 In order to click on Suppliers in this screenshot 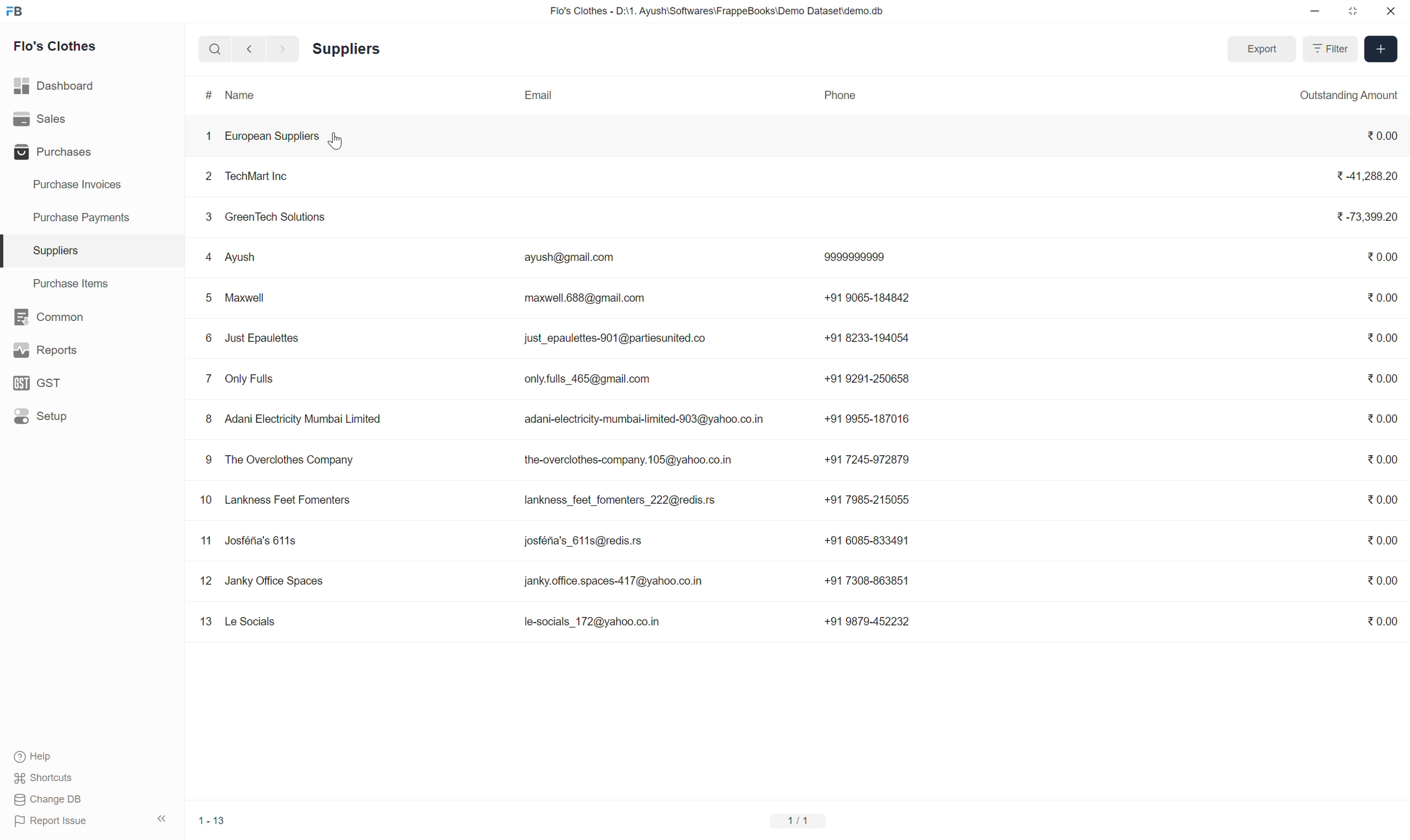, I will do `click(51, 248)`.